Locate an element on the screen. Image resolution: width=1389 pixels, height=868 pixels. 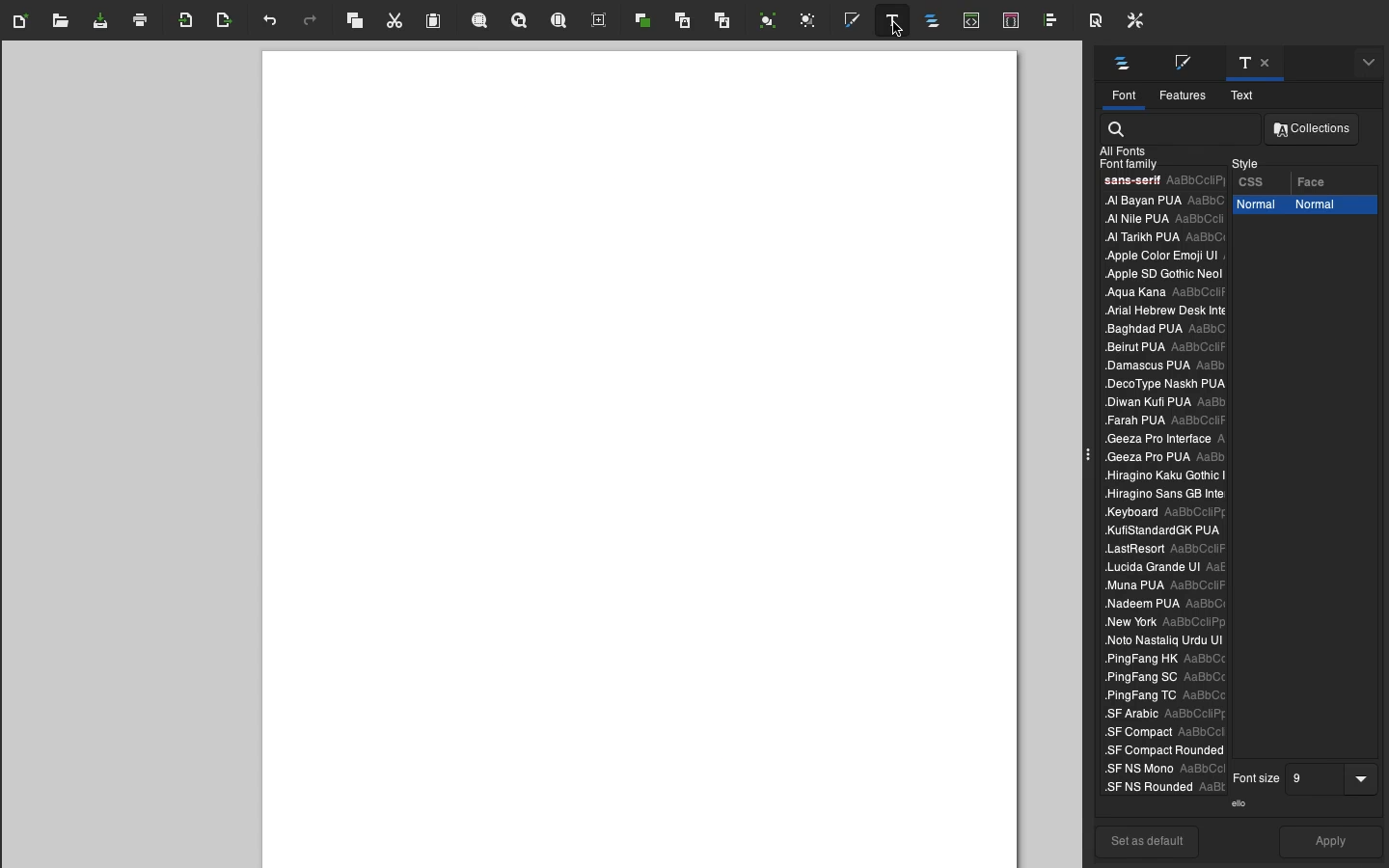
Style is located at coordinates (1246, 161).